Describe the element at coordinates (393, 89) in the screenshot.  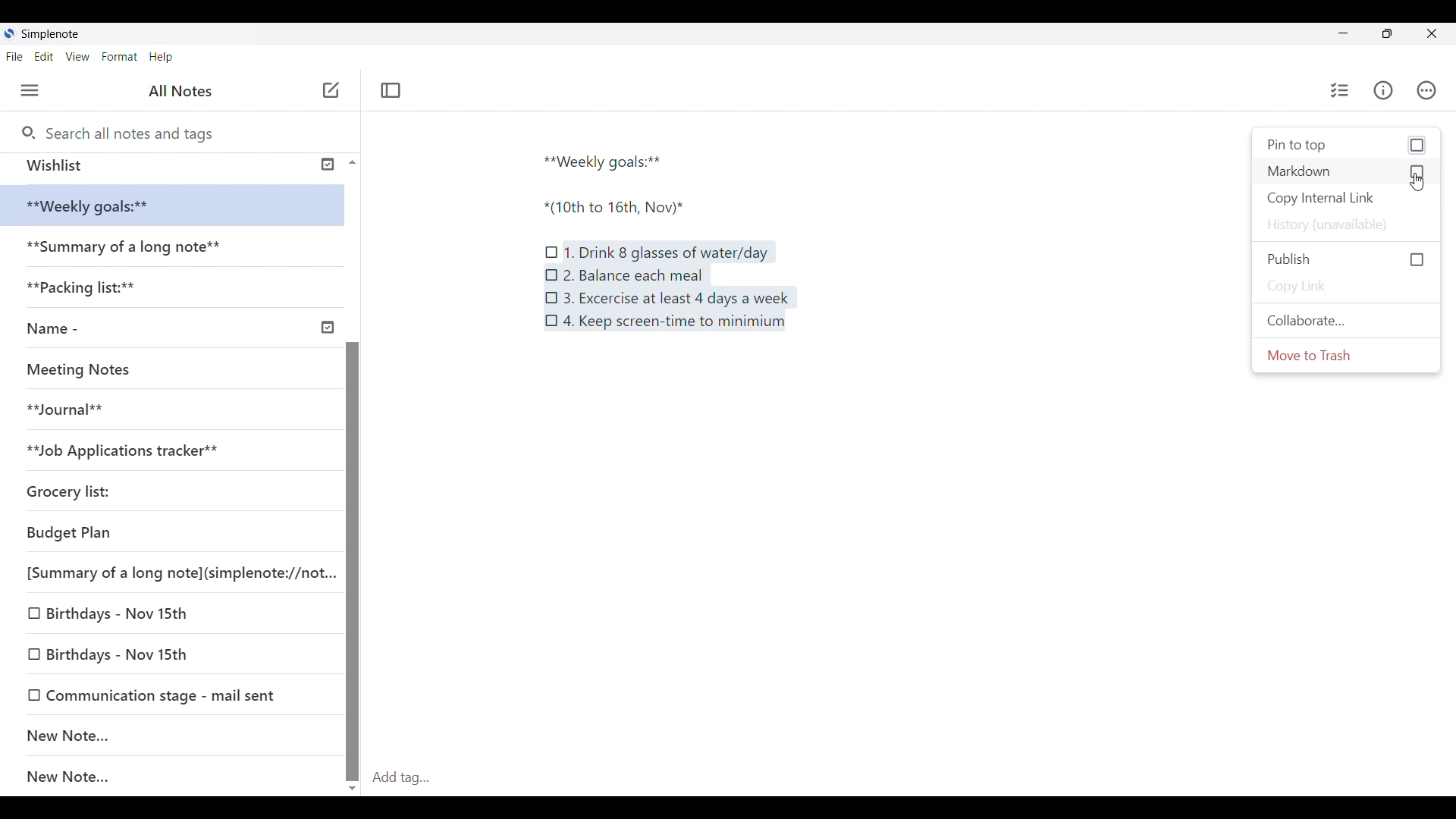
I see `Toggle focus mode` at that location.